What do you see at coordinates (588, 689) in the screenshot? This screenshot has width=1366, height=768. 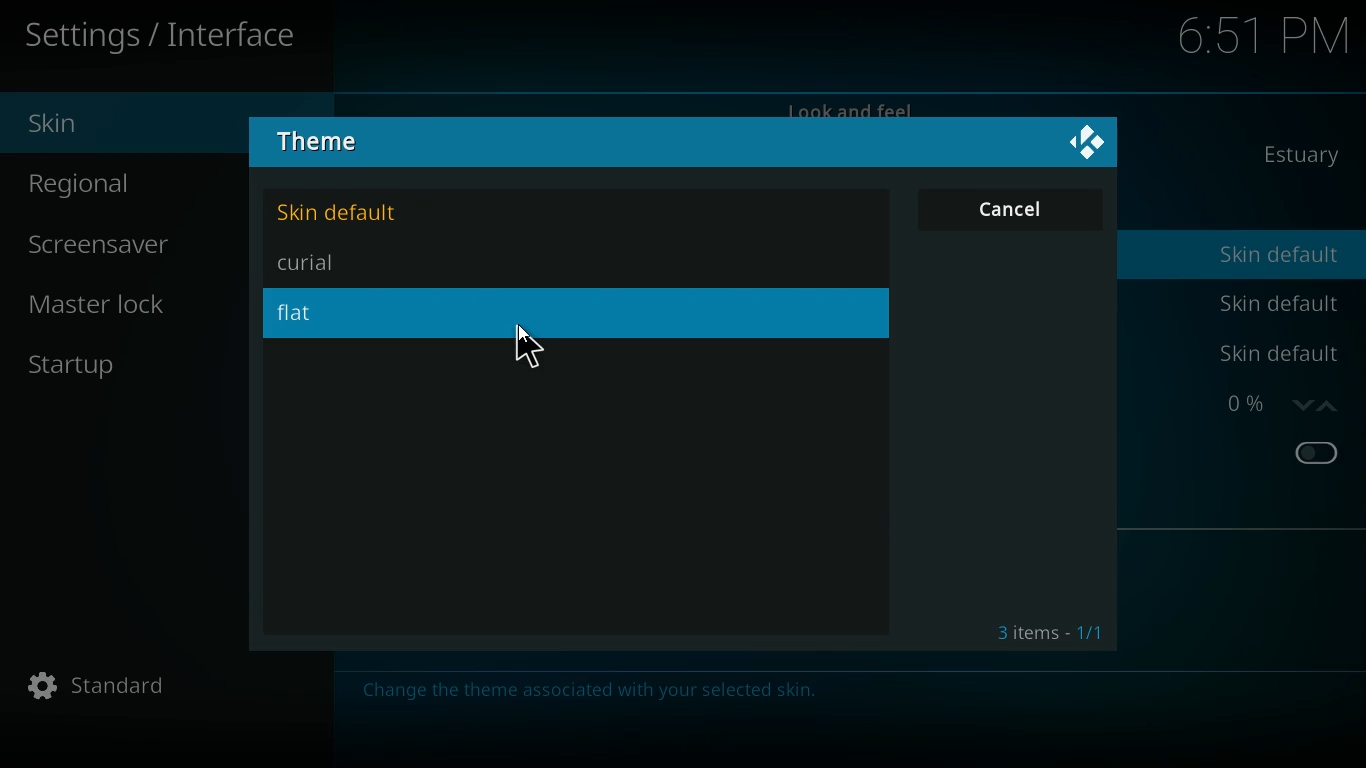 I see `message` at bounding box center [588, 689].